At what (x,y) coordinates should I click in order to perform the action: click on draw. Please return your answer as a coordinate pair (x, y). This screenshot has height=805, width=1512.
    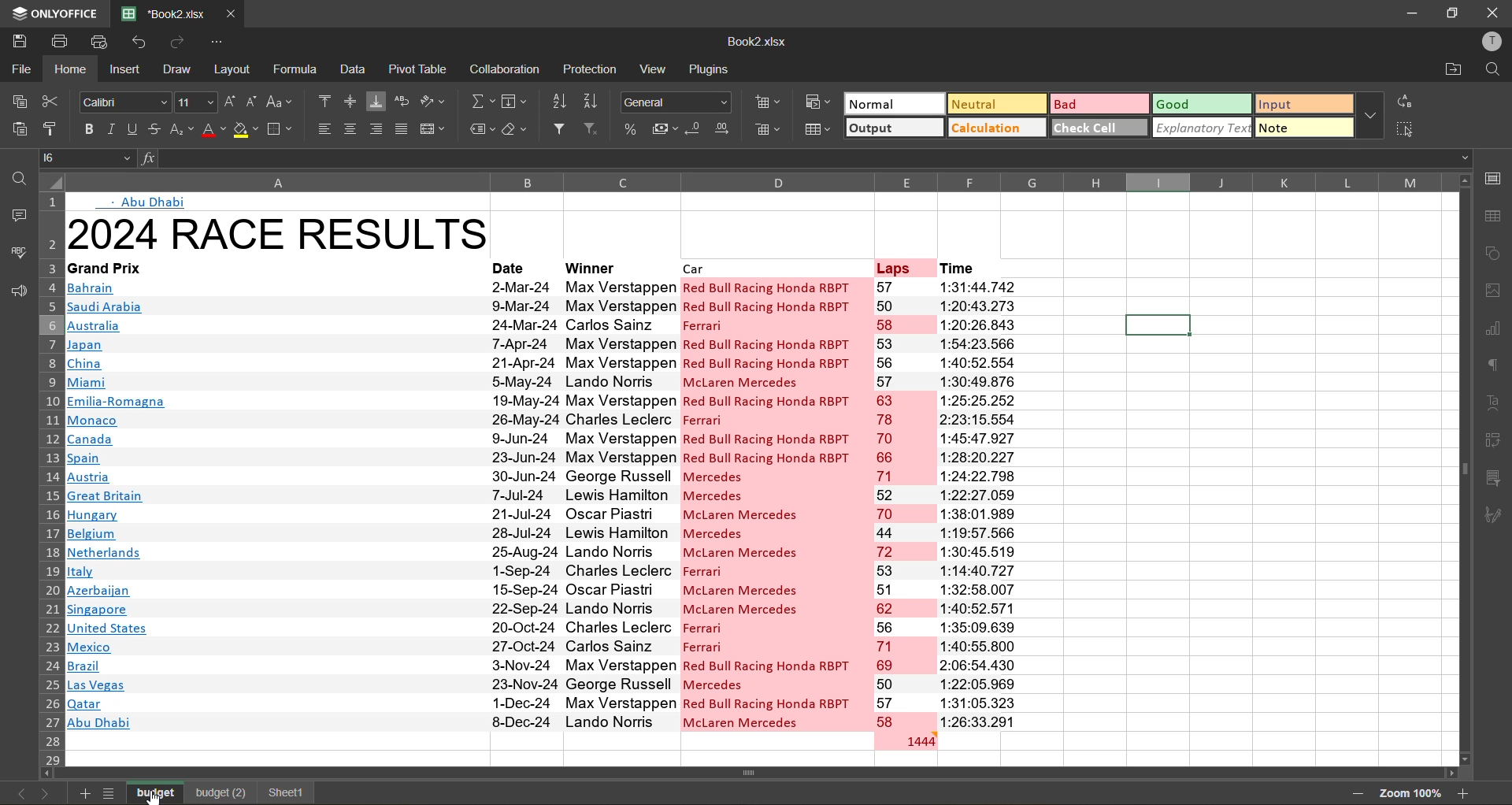
    Looking at the image, I should click on (180, 71).